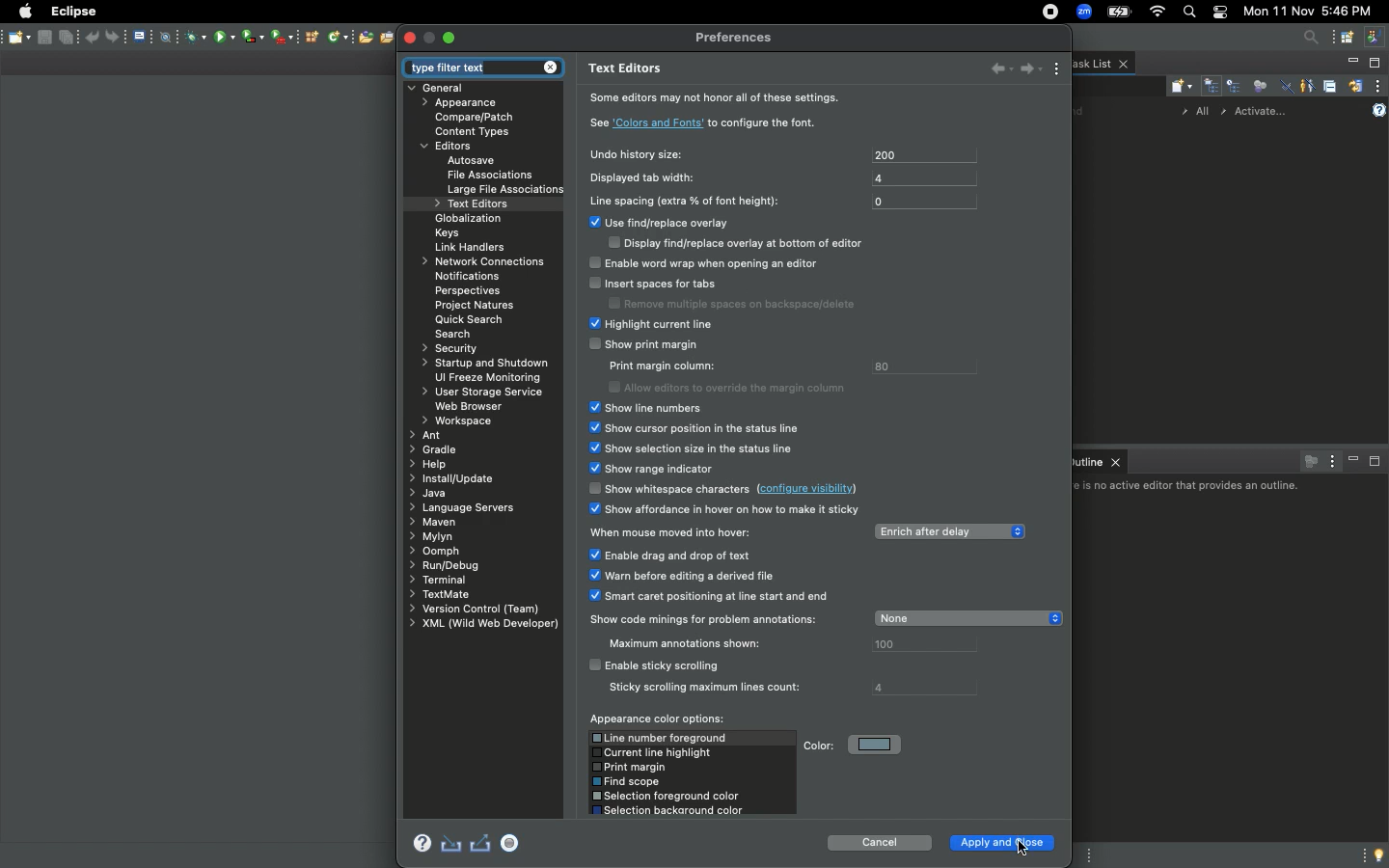  What do you see at coordinates (490, 175) in the screenshot?
I see `File associations` at bounding box center [490, 175].